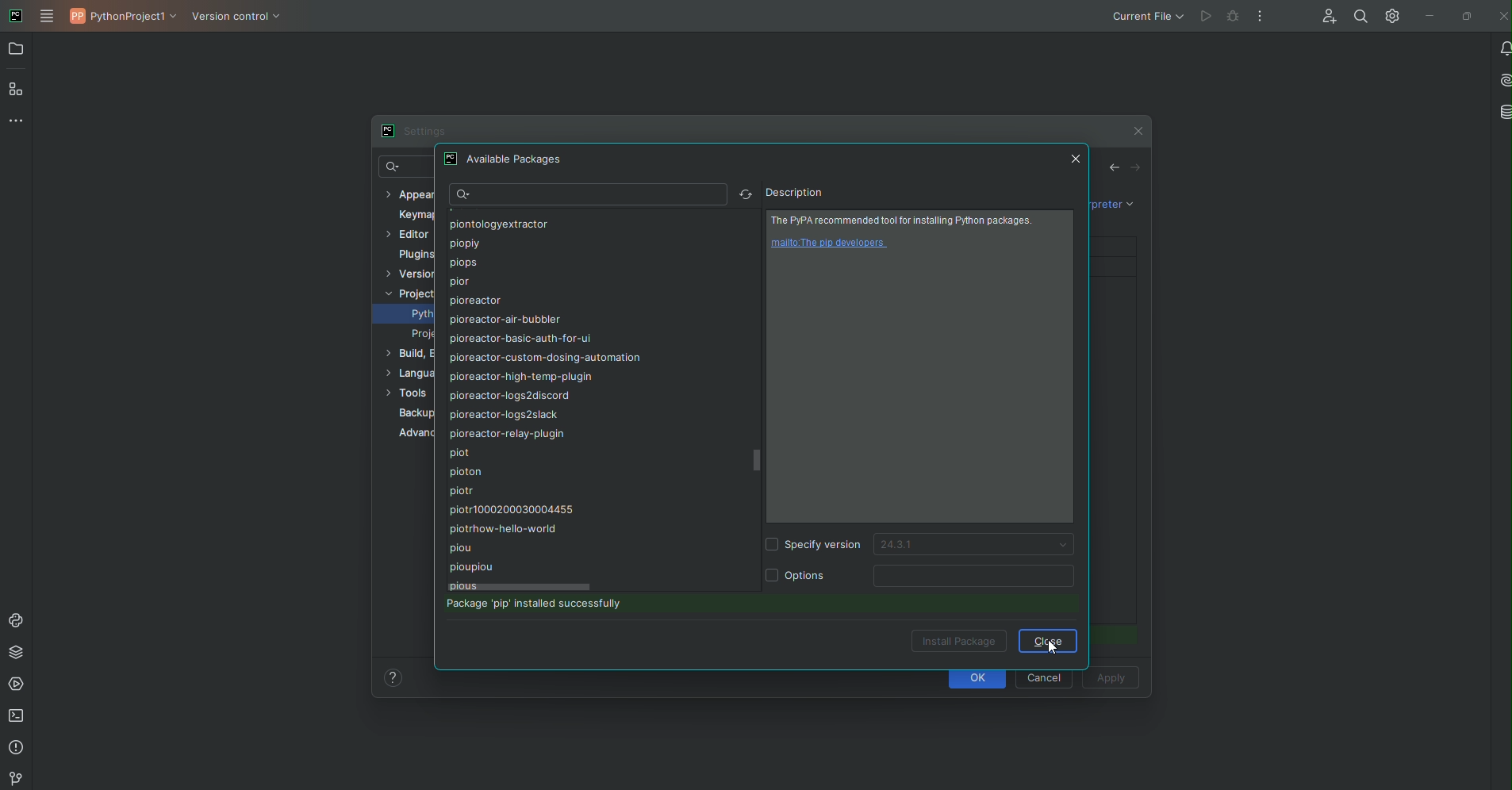 The width and height of the screenshot is (1512, 790). Describe the element at coordinates (508, 397) in the screenshot. I see `pioreactor-logs2discord` at that location.